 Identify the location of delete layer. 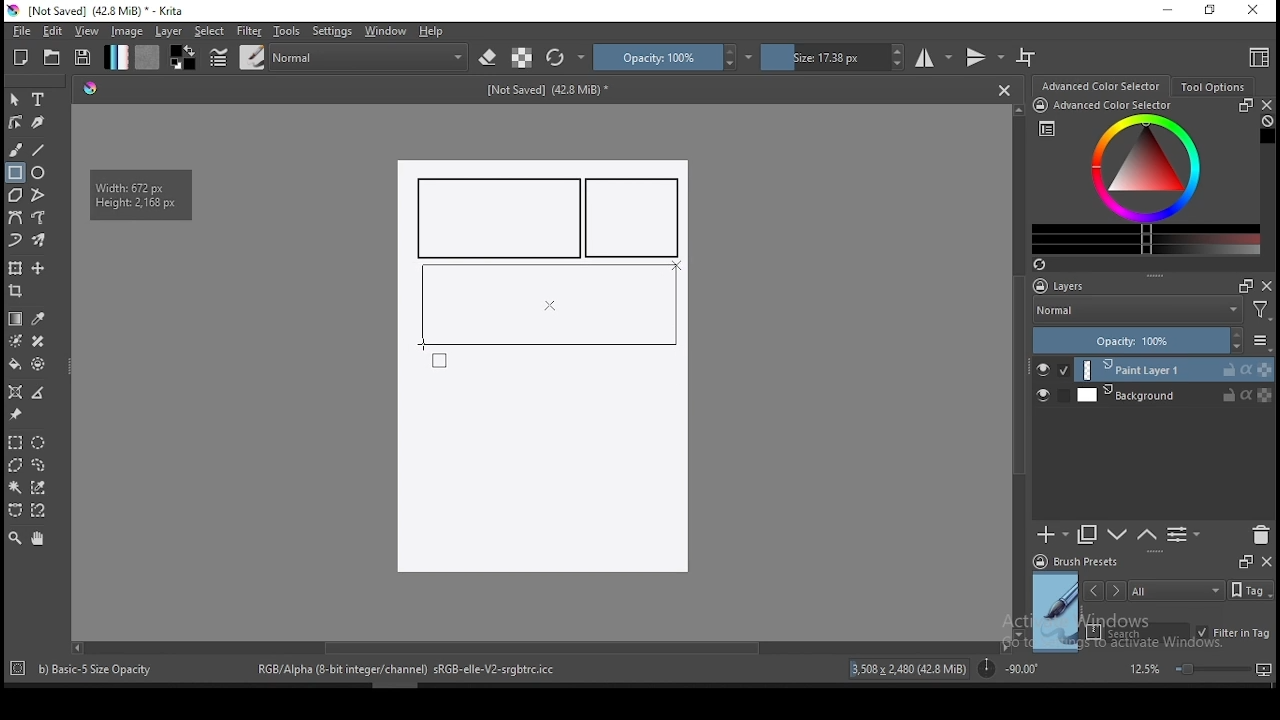
(1260, 536).